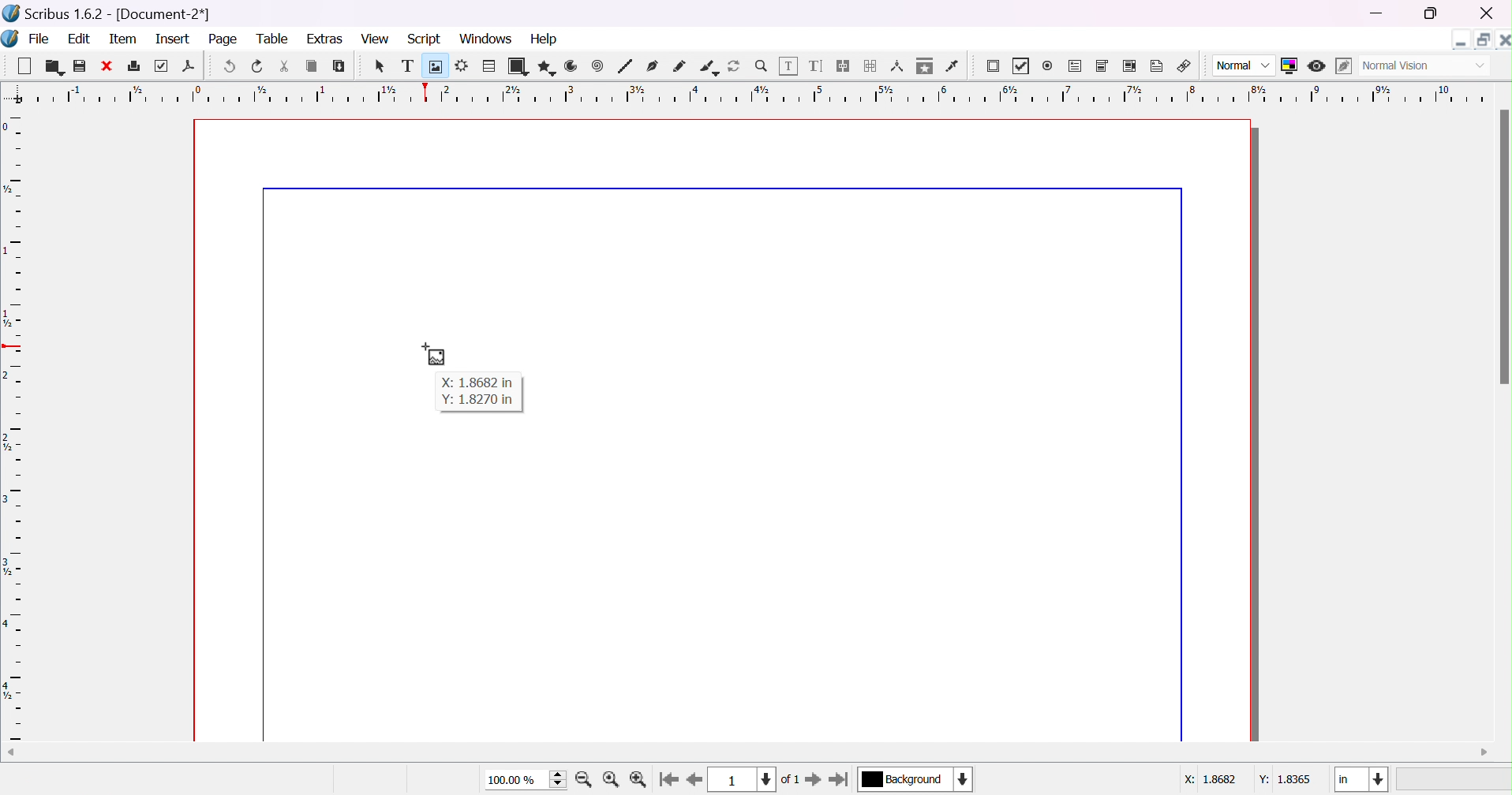 This screenshot has width=1512, height=795. What do you see at coordinates (735, 65) in the screenshot?
I see `rotate item` at bounding box center [735, 65].